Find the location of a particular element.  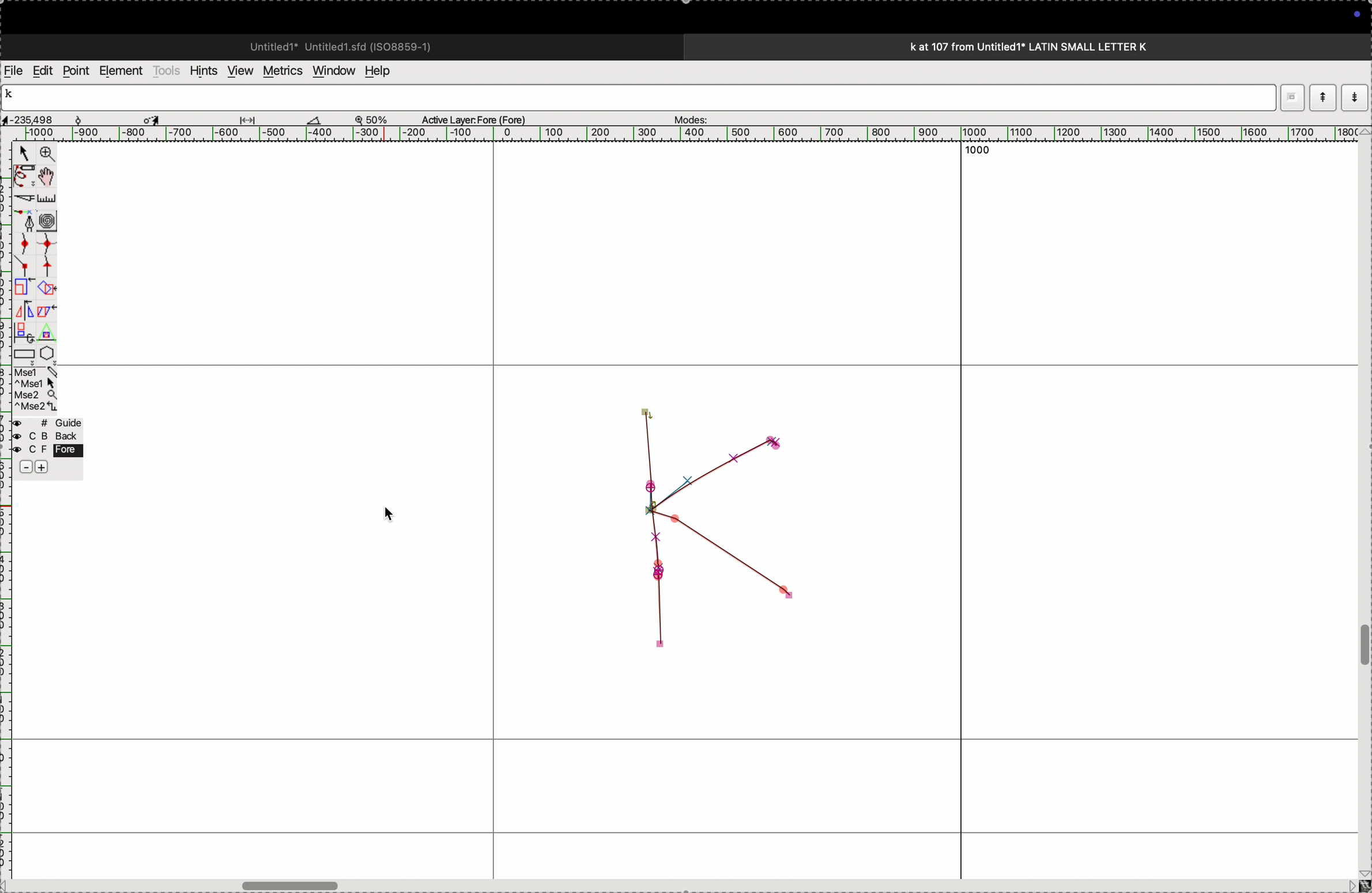

metrics is located at coordinates (281, 71).